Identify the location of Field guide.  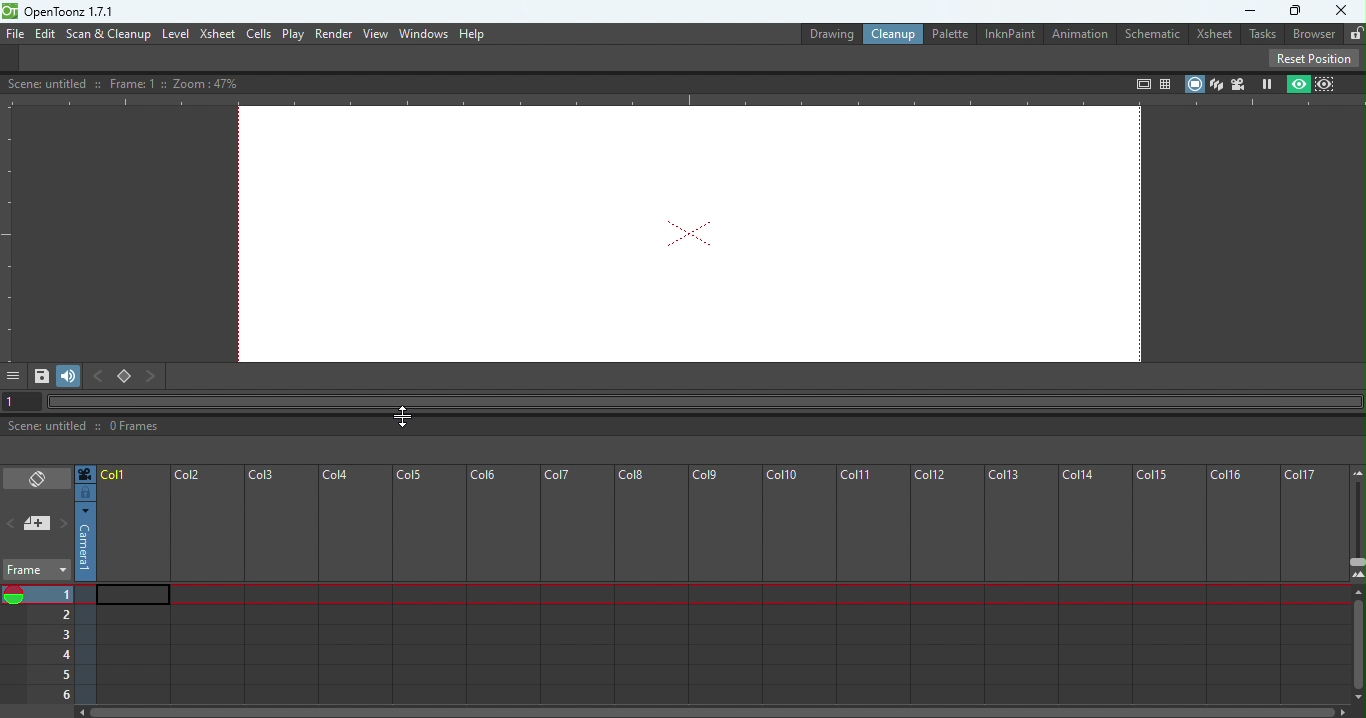
(1168, 80).